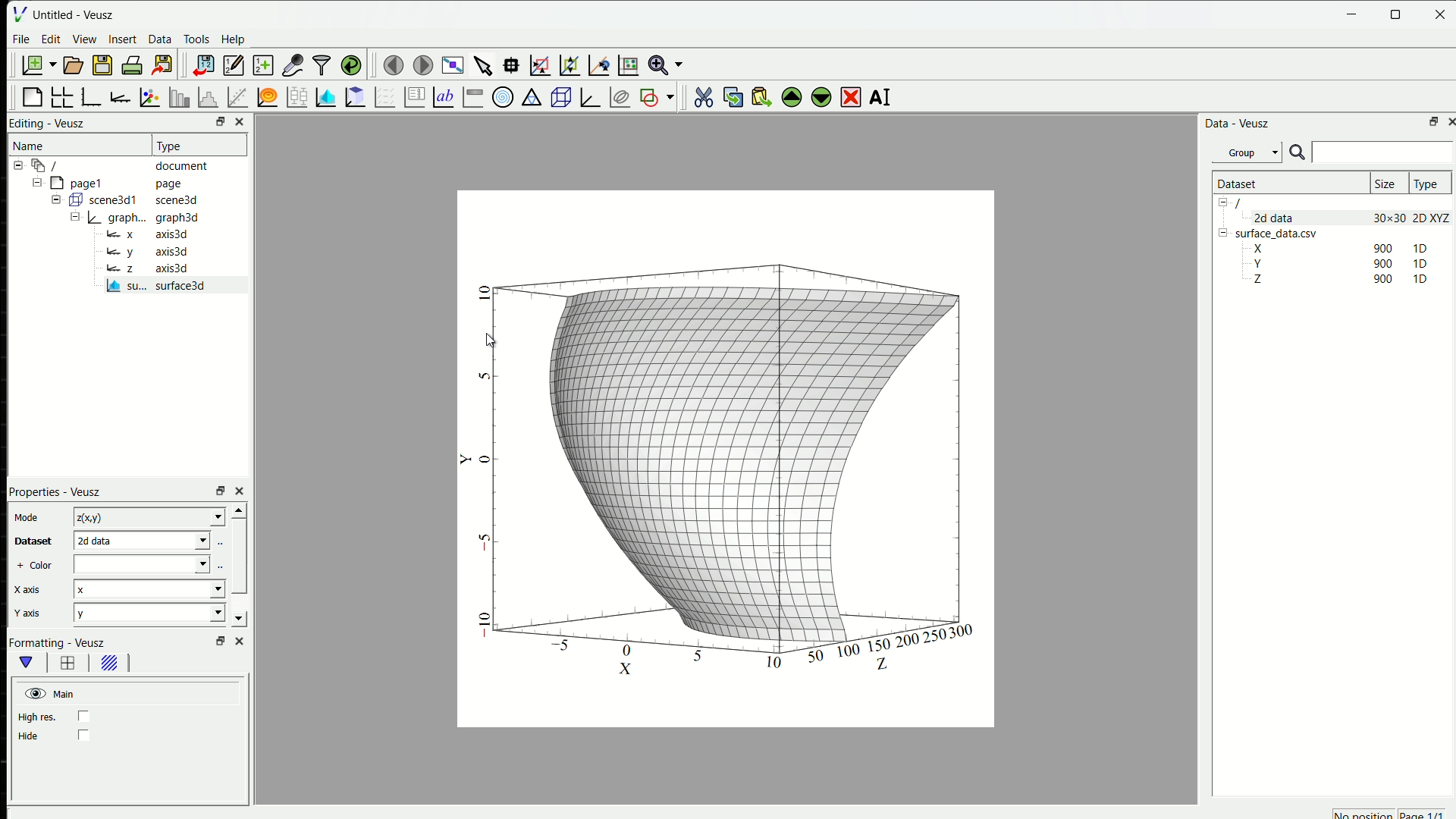 Image resolution: width=1456 pixels, height=819 pixels. What do you see at coordinates (240, 641) in the screenshot?
I see `close` at bounding box center [240, 641].